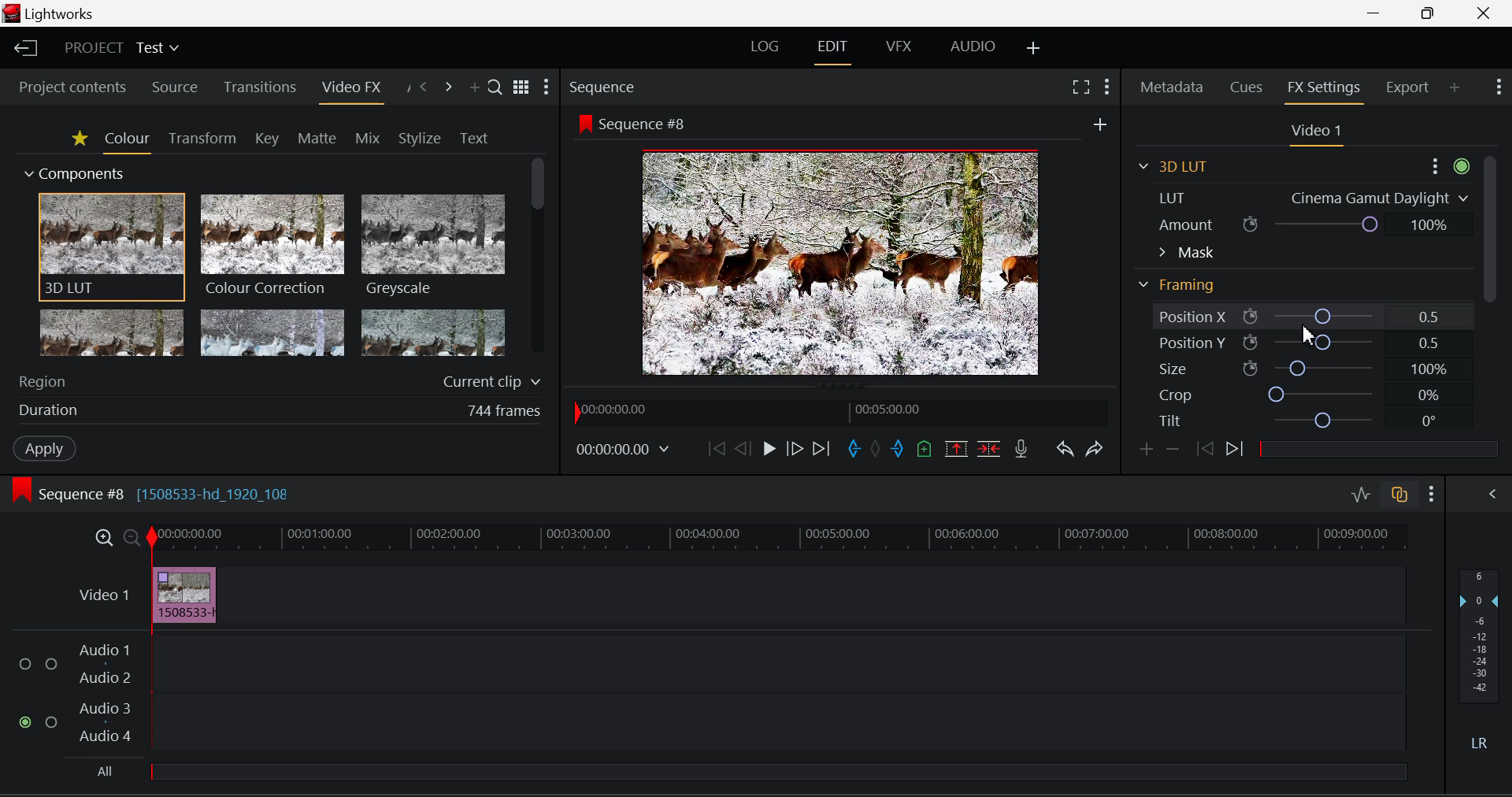  Describe the element at coordinates (188, 594) in the screenshot. I see `Effect Applied` at that location.